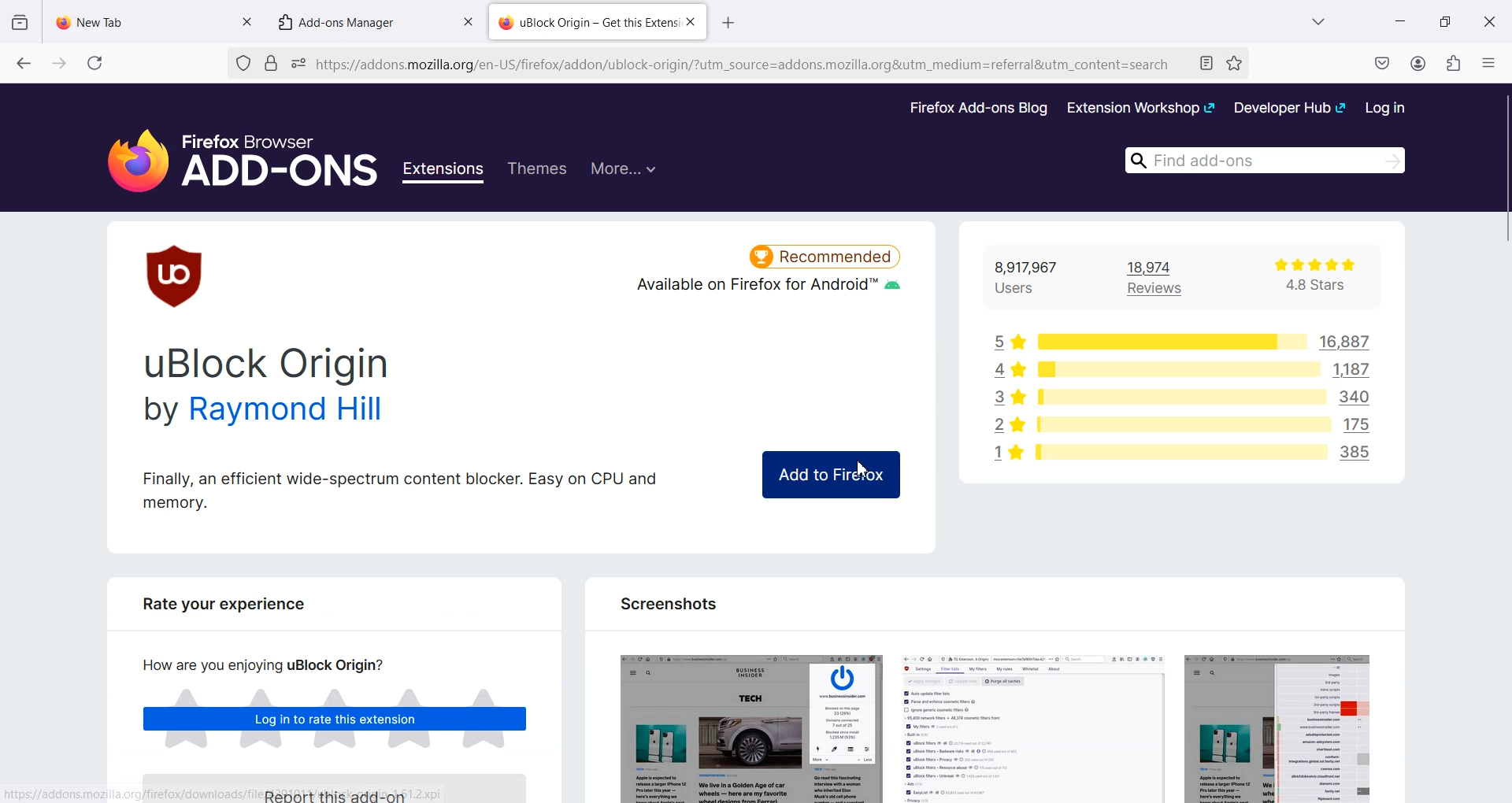  Describe the element at coordinates (1180, 426) in the screenshot. I see `rating bar` at that location.